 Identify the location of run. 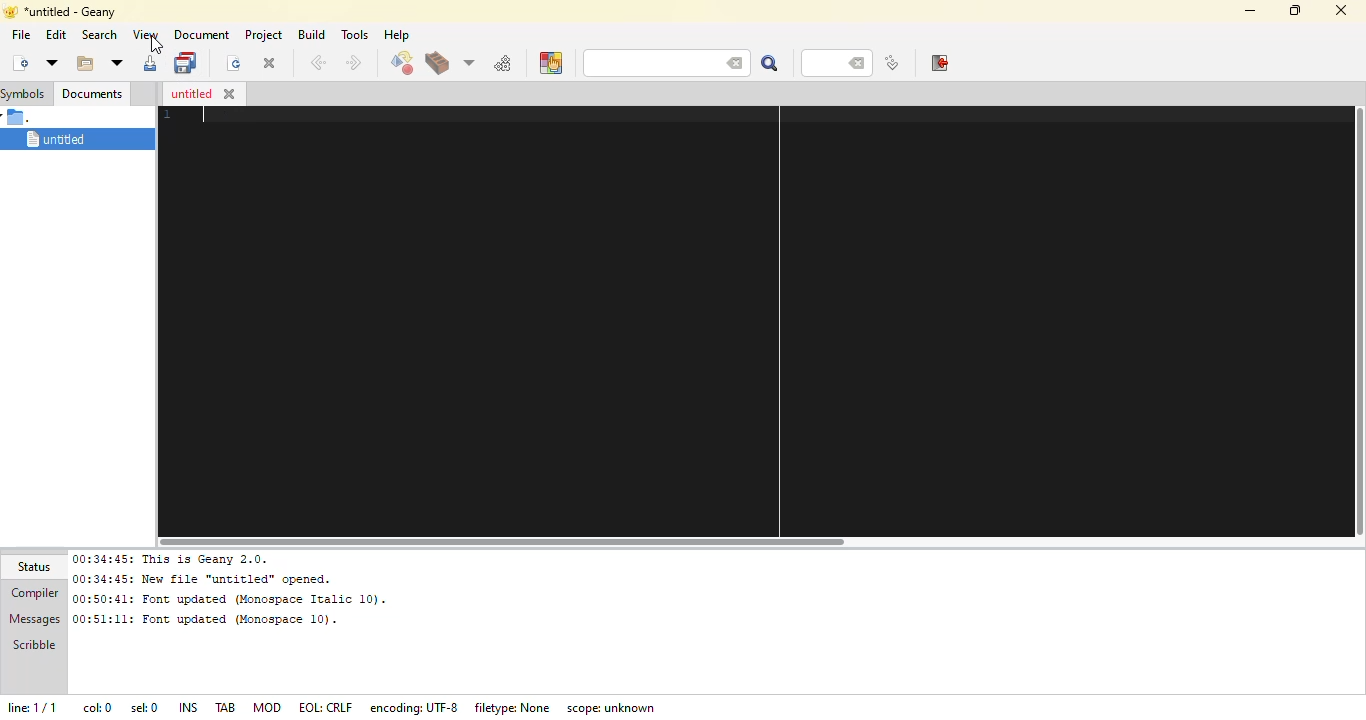
(503, 63).